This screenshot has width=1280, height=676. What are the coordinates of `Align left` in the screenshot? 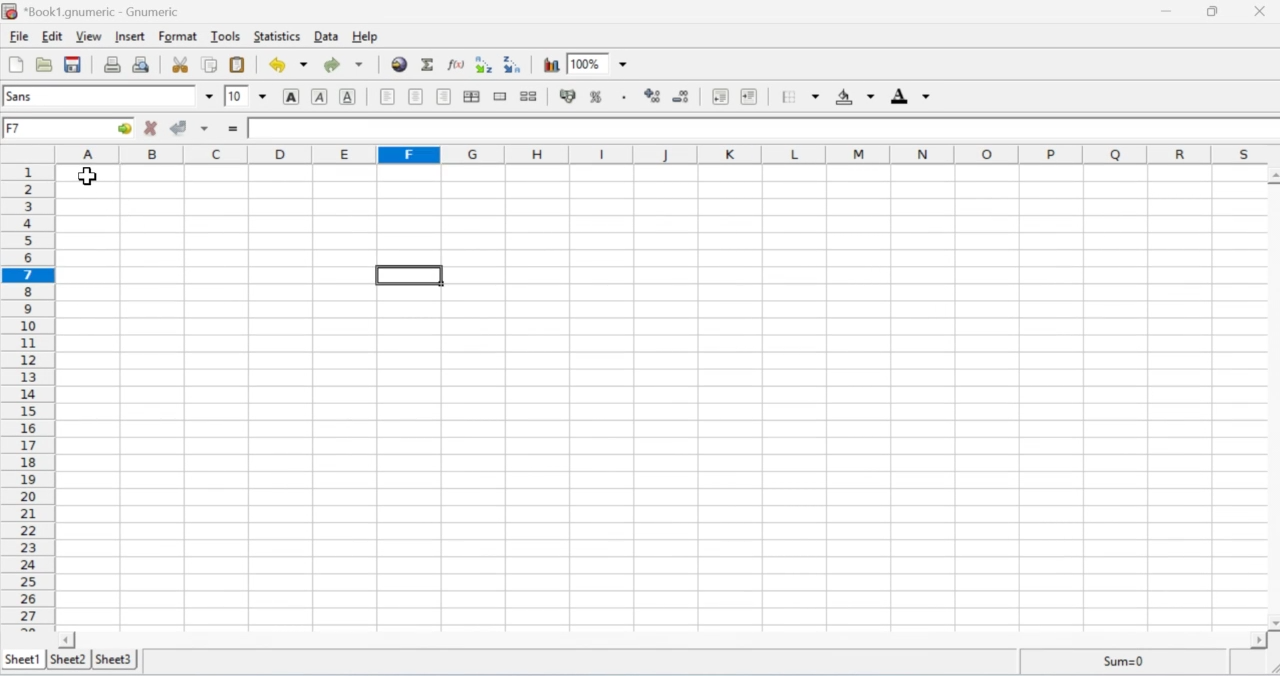 It's located at (384, 97).